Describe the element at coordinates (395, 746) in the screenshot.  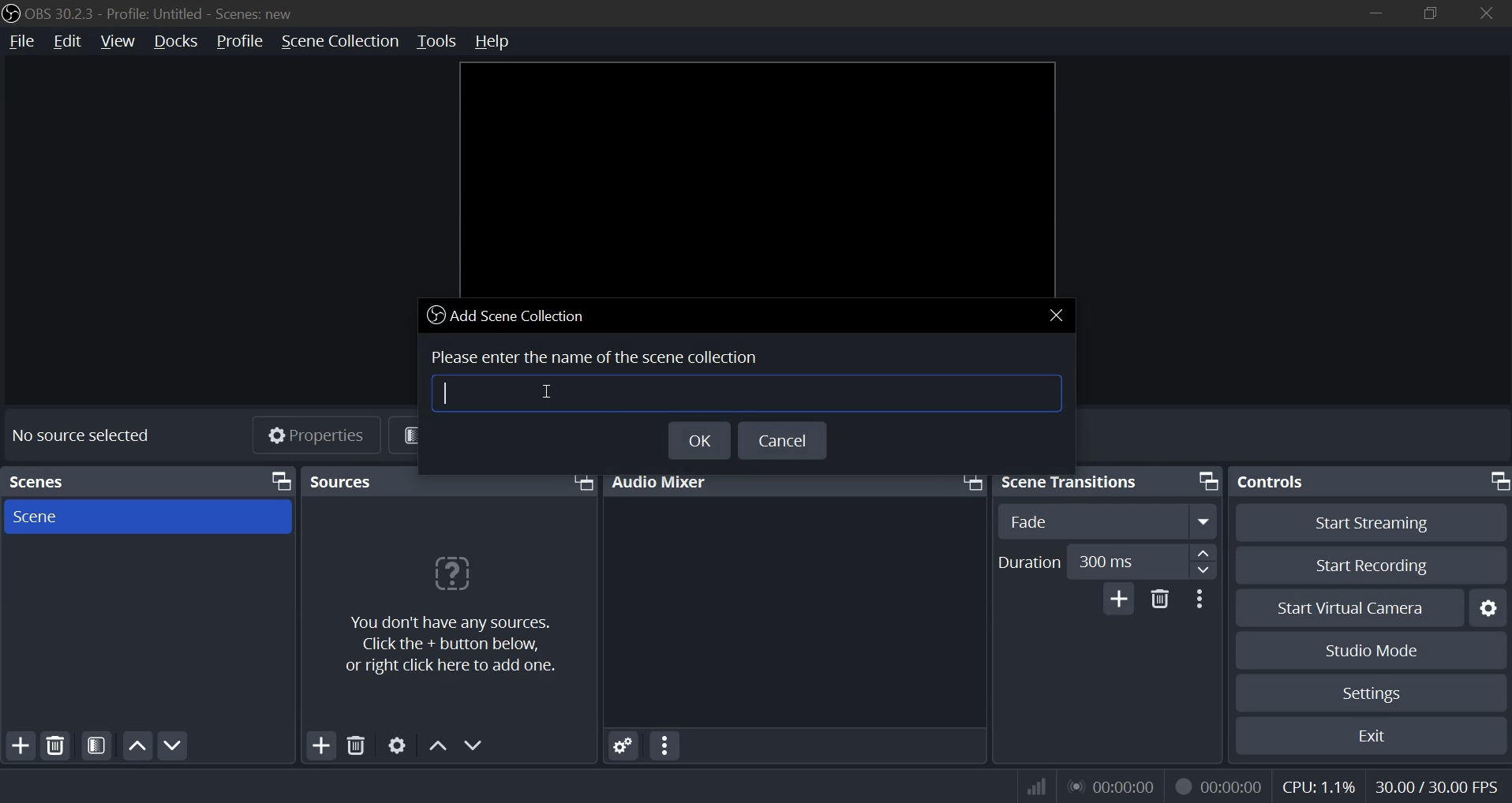
I see `settings` at that location.